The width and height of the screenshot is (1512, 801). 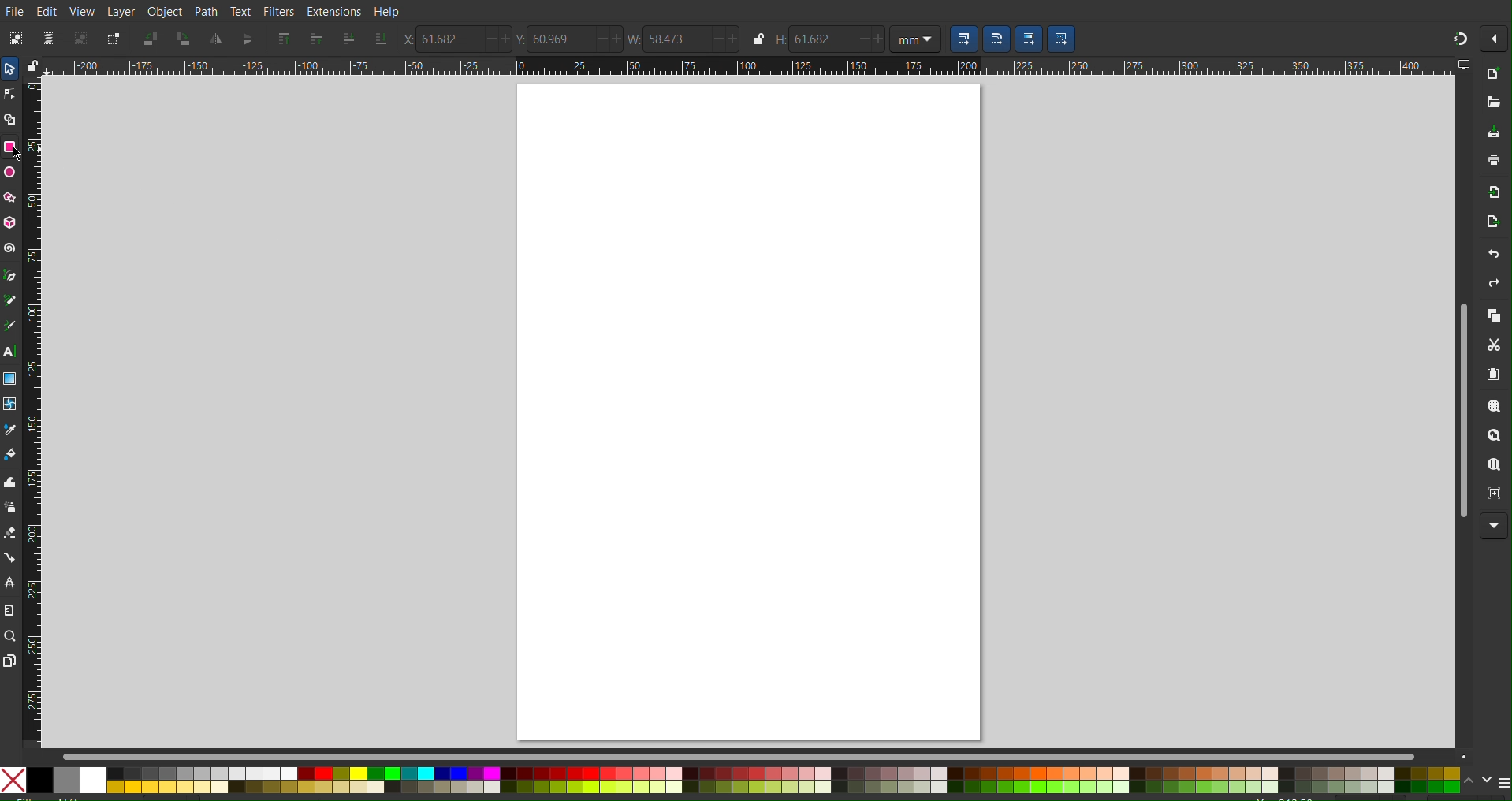 What do you see at coordinates (13, 9) in the screenshot?
I see `File` at bounding box center [13, 9].